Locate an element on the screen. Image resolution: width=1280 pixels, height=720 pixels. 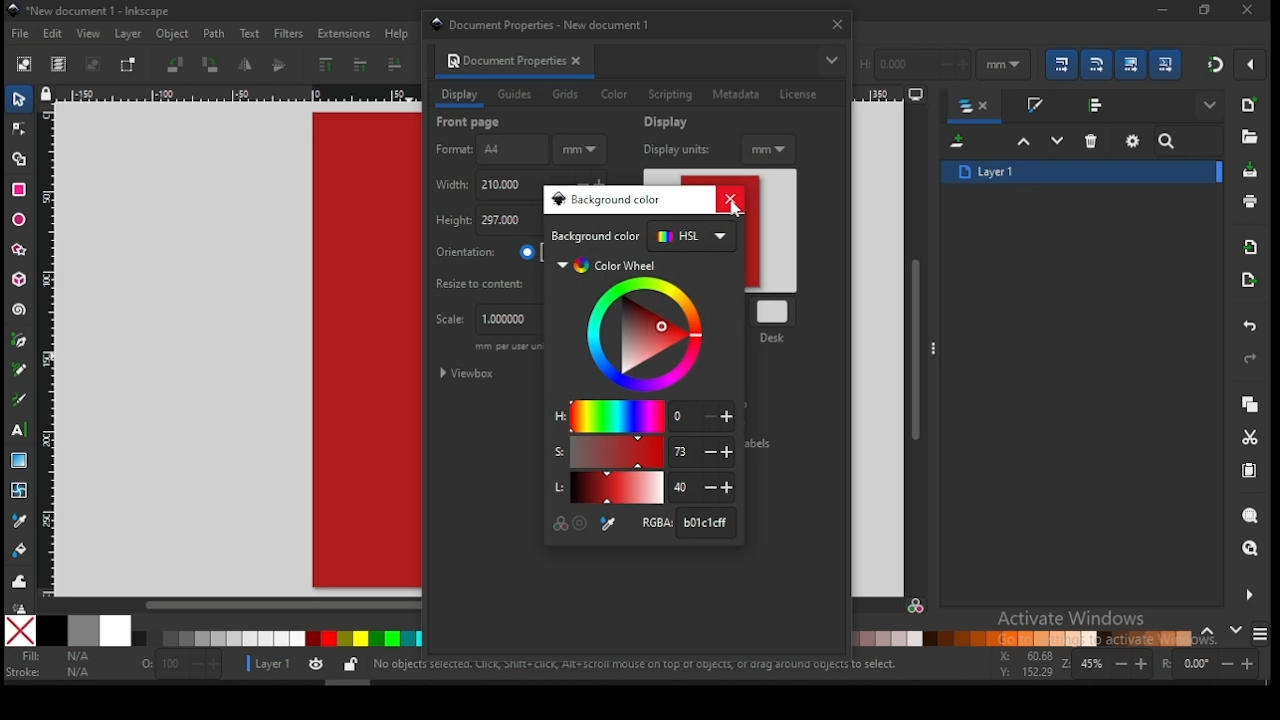
import is located at coordinates (1251, 247).